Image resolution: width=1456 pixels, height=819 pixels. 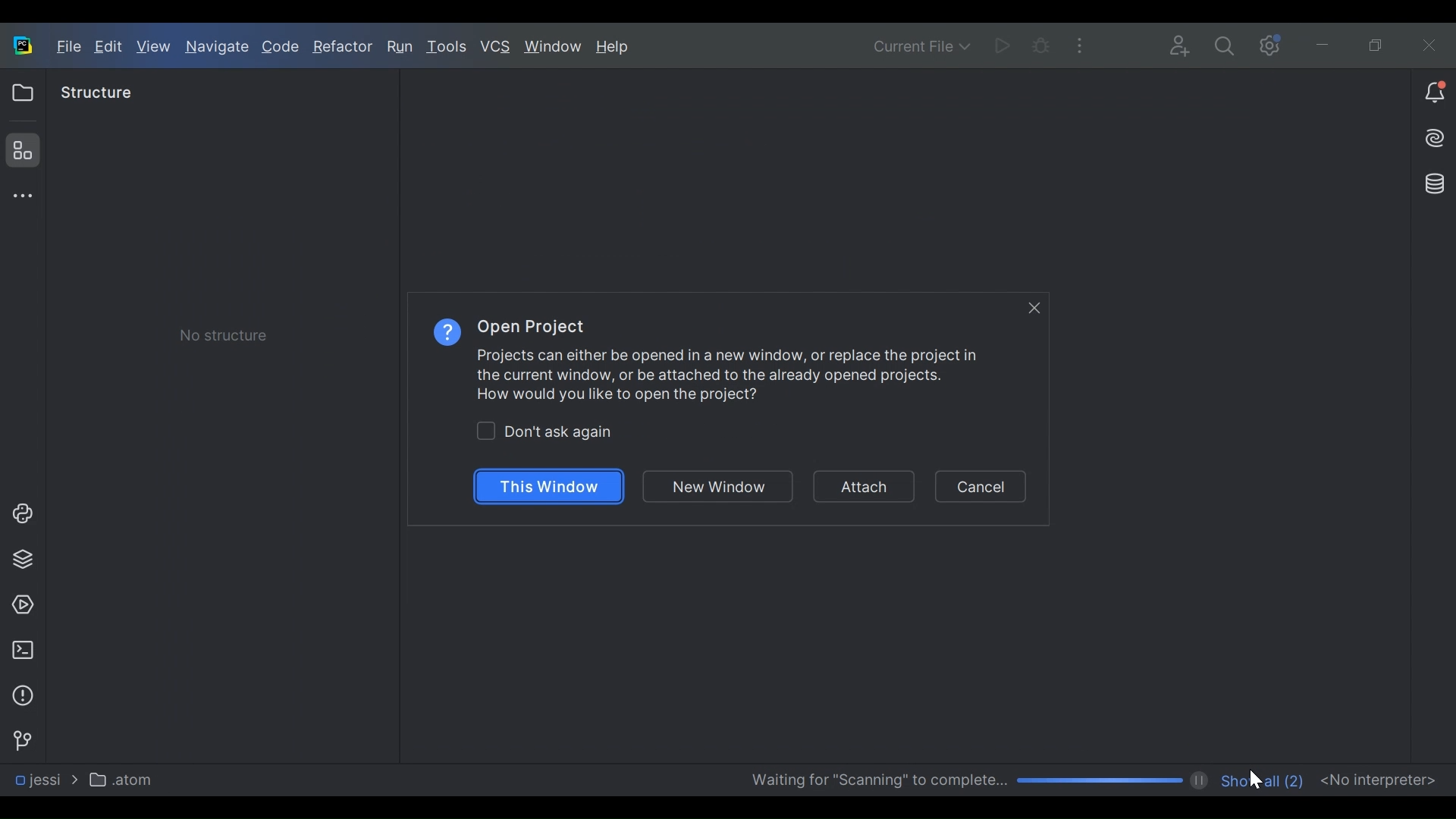 I want to click on Code, so click(x=281, y=49).